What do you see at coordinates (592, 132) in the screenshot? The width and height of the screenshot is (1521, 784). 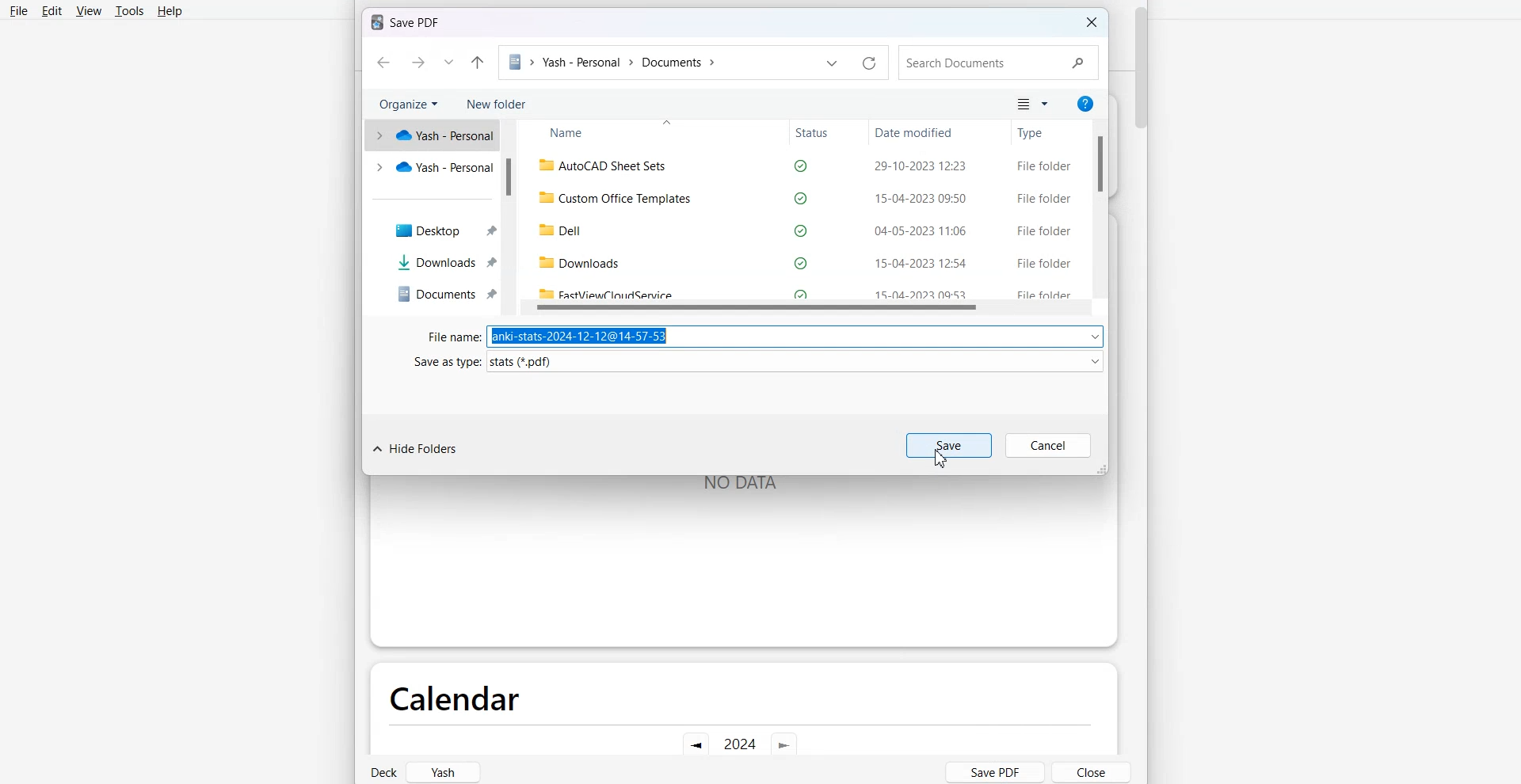 I see `Name` at bounding box center [592, 132].